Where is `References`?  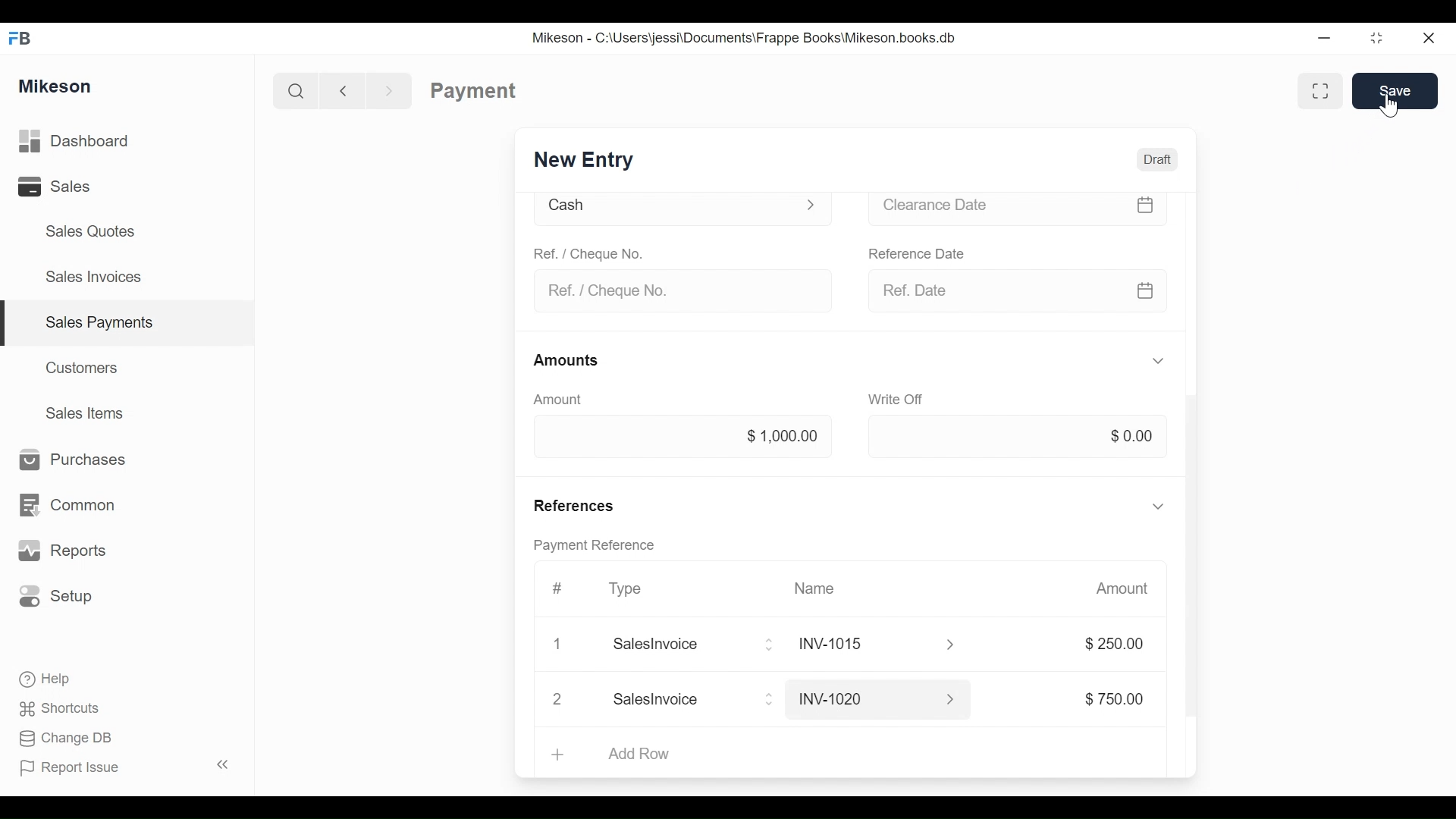
References is located at coordinates (581, 505).